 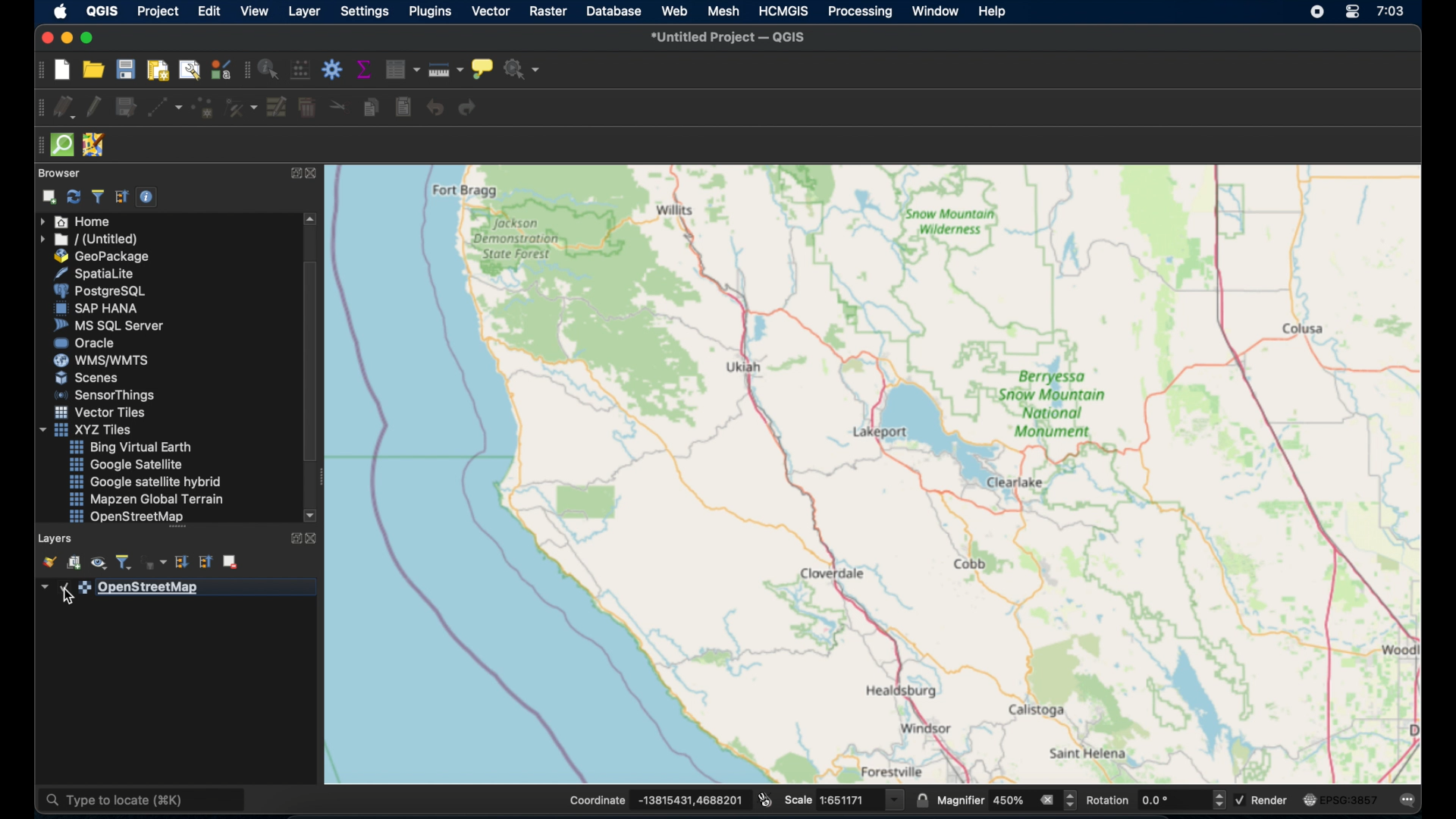 What do you see at coordinates (98, 359) in the screenshot?
I see `wms/wmts` at bounding box center [98, 359].